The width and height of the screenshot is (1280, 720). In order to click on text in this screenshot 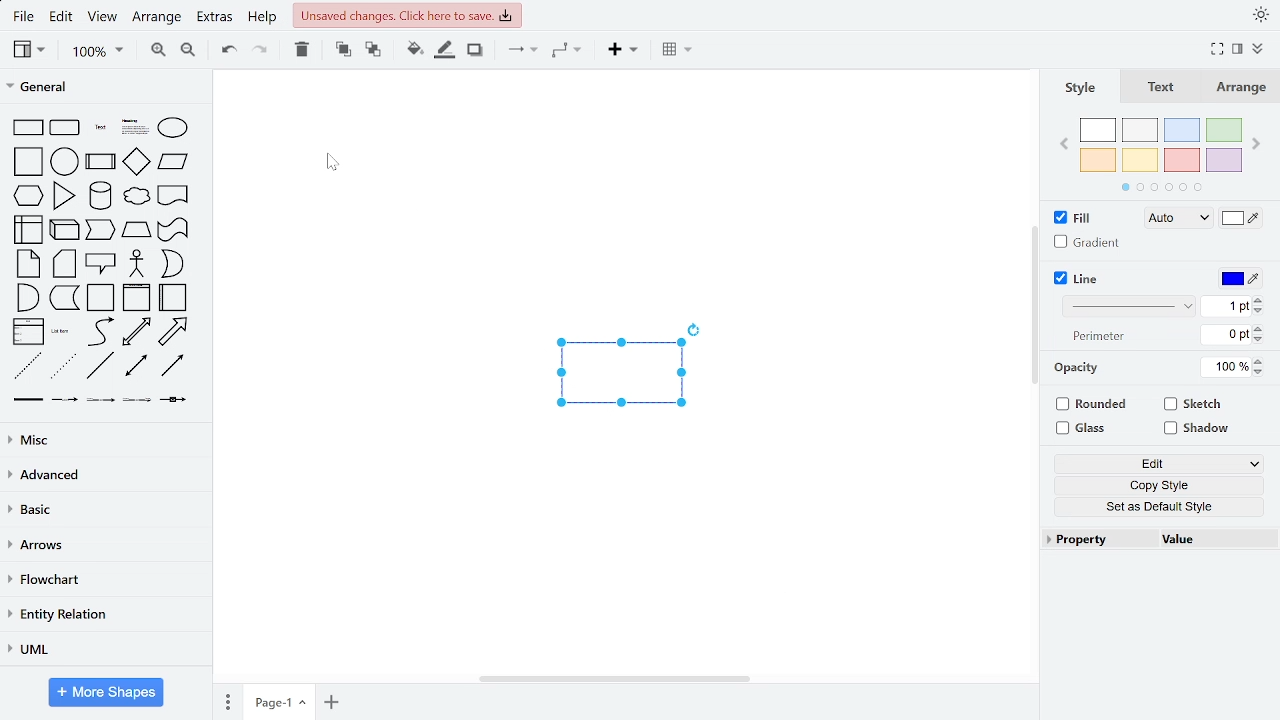, I will do `click(1163, 87)`.